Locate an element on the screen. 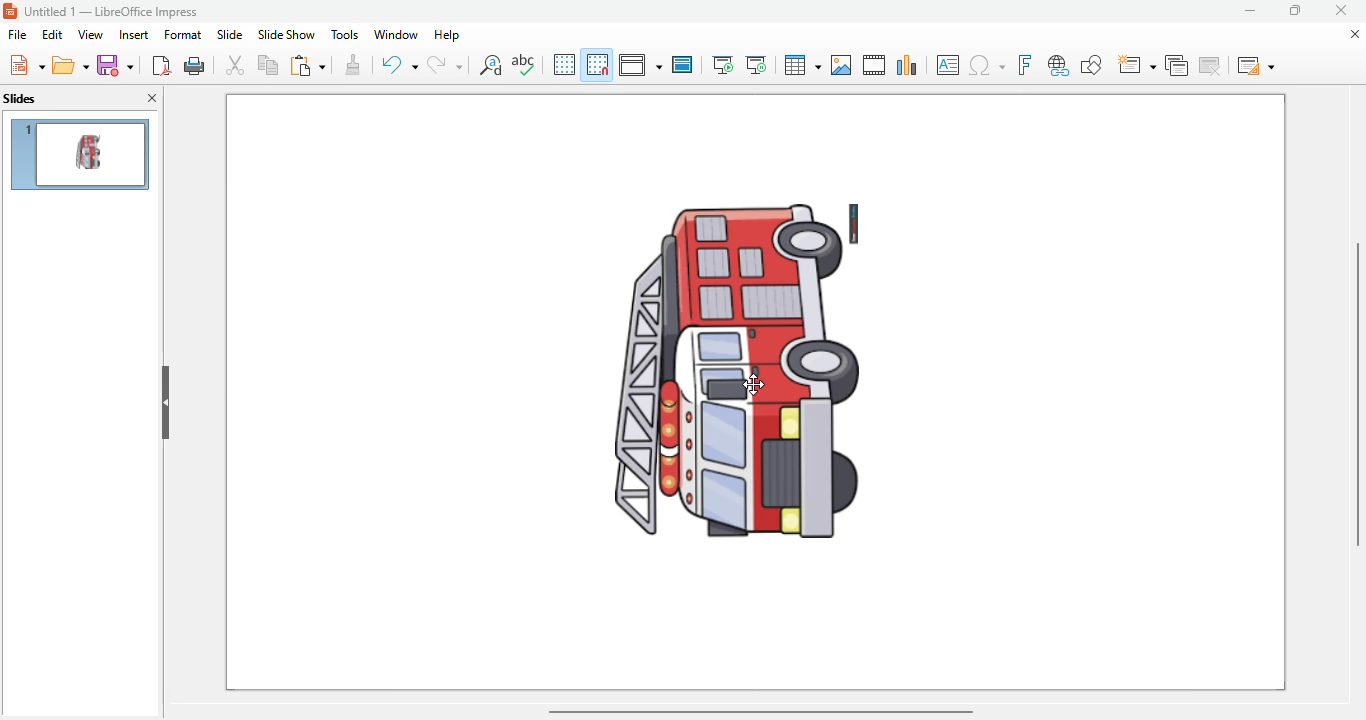 The width and height of the screenshot is (1366, 720). delete slide is located at coordinates (1210, 64).